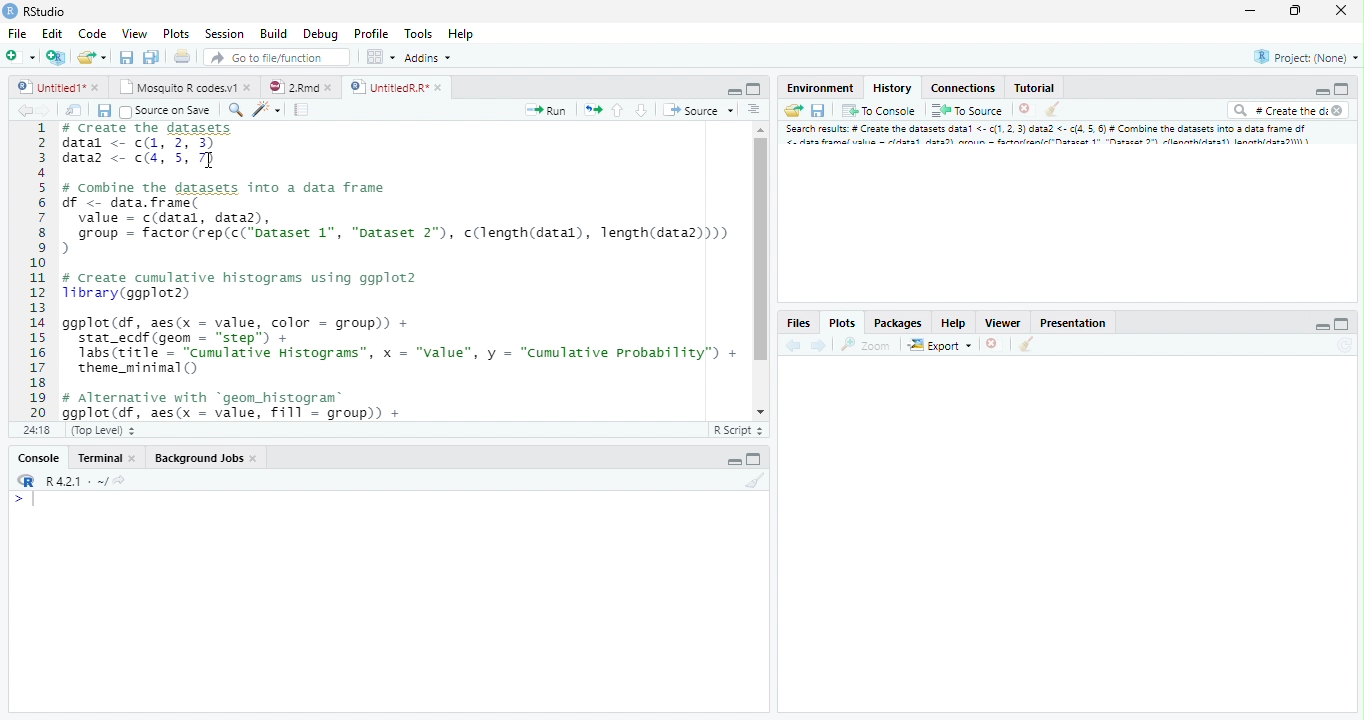 The height and width of the screenshot is (720, 1364). Describe the element at coordinates (1253, 11) in the screenshot. I see `Minimize` at that location.